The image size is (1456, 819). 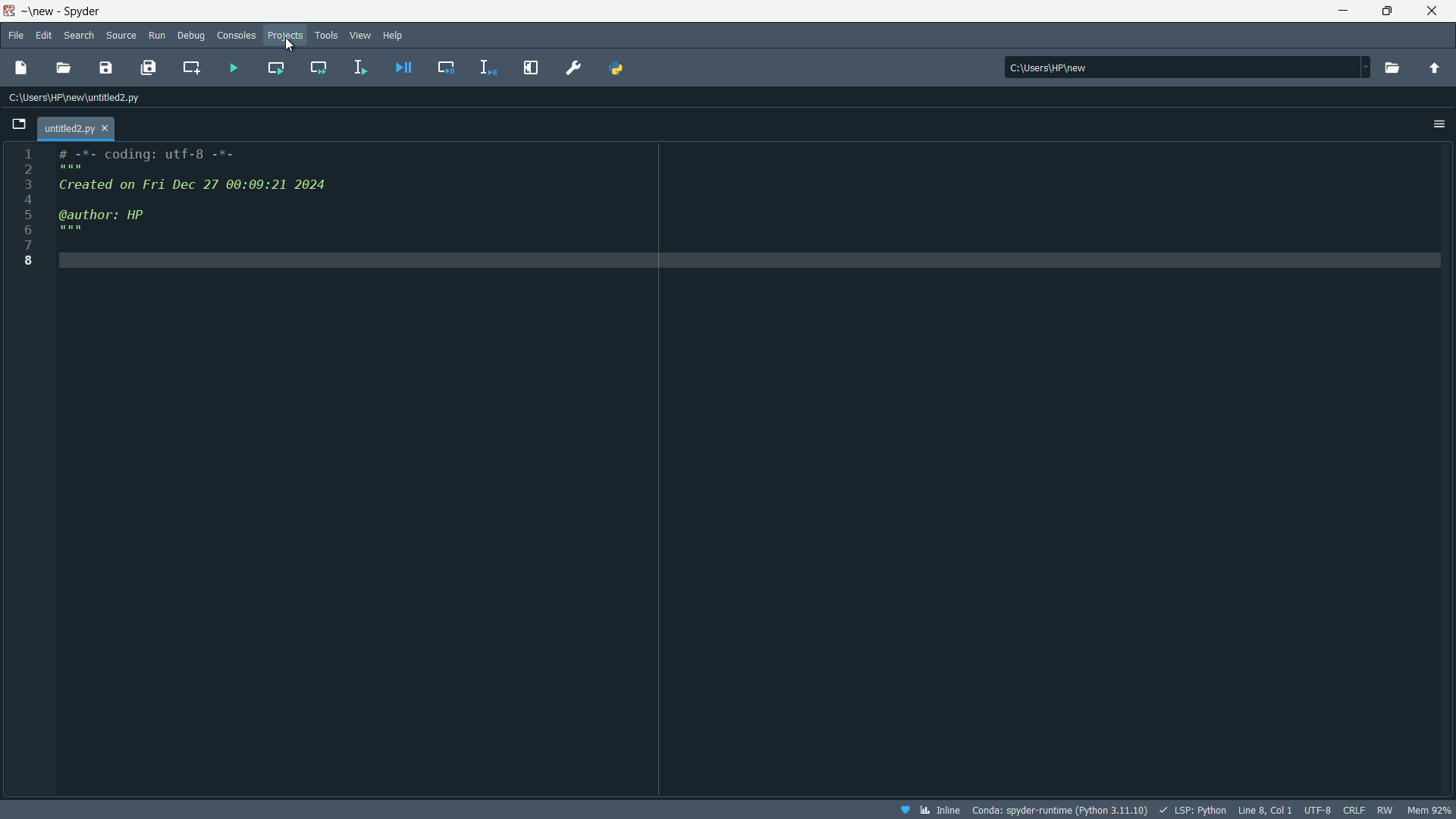 What do you see at coordinates (290, 45) in the screenshot?
I see `Cursor on Projects` at bounding box center [290, 45].